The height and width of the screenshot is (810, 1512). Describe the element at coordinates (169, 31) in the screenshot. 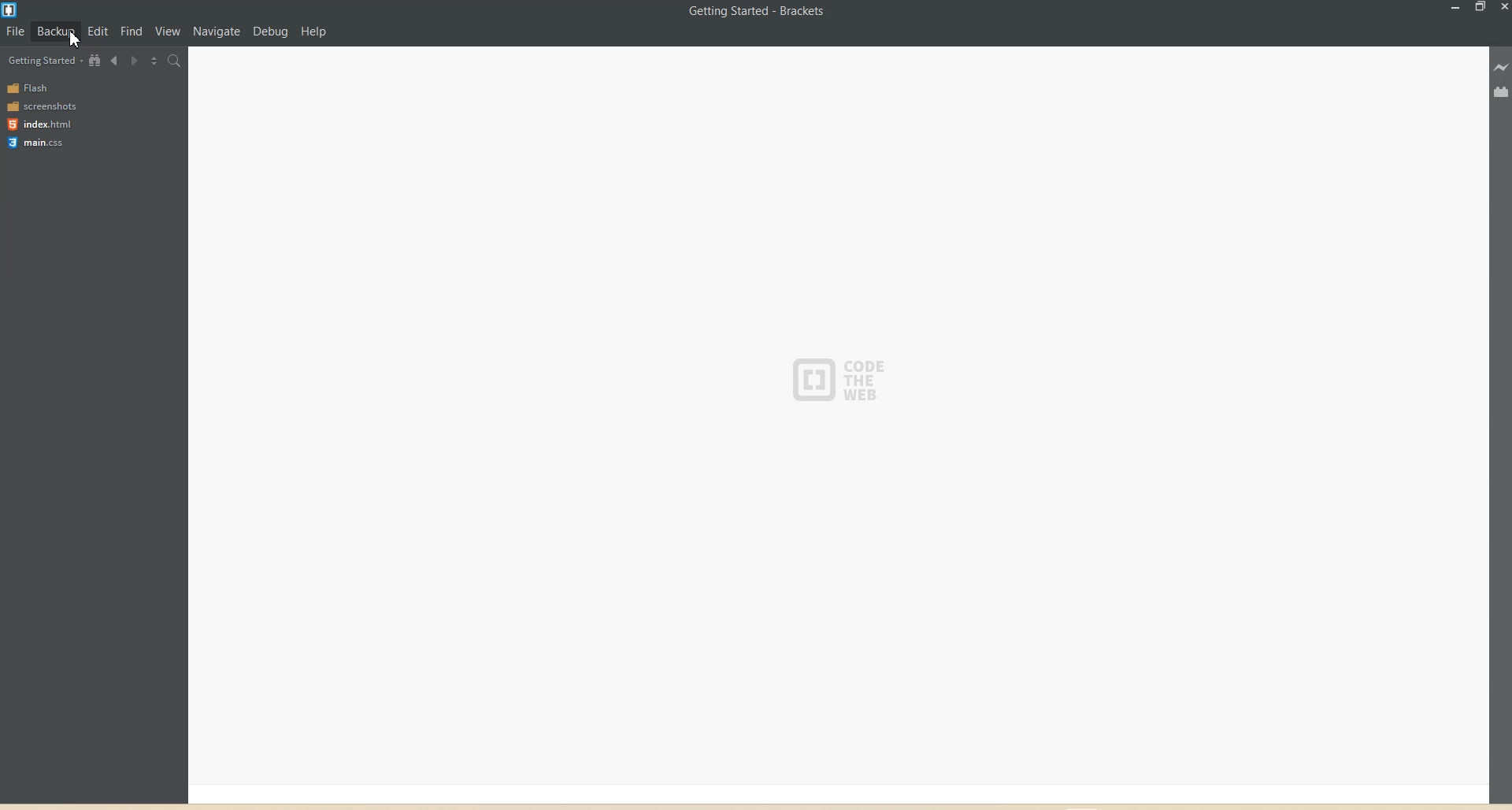

I see `View` at that location.